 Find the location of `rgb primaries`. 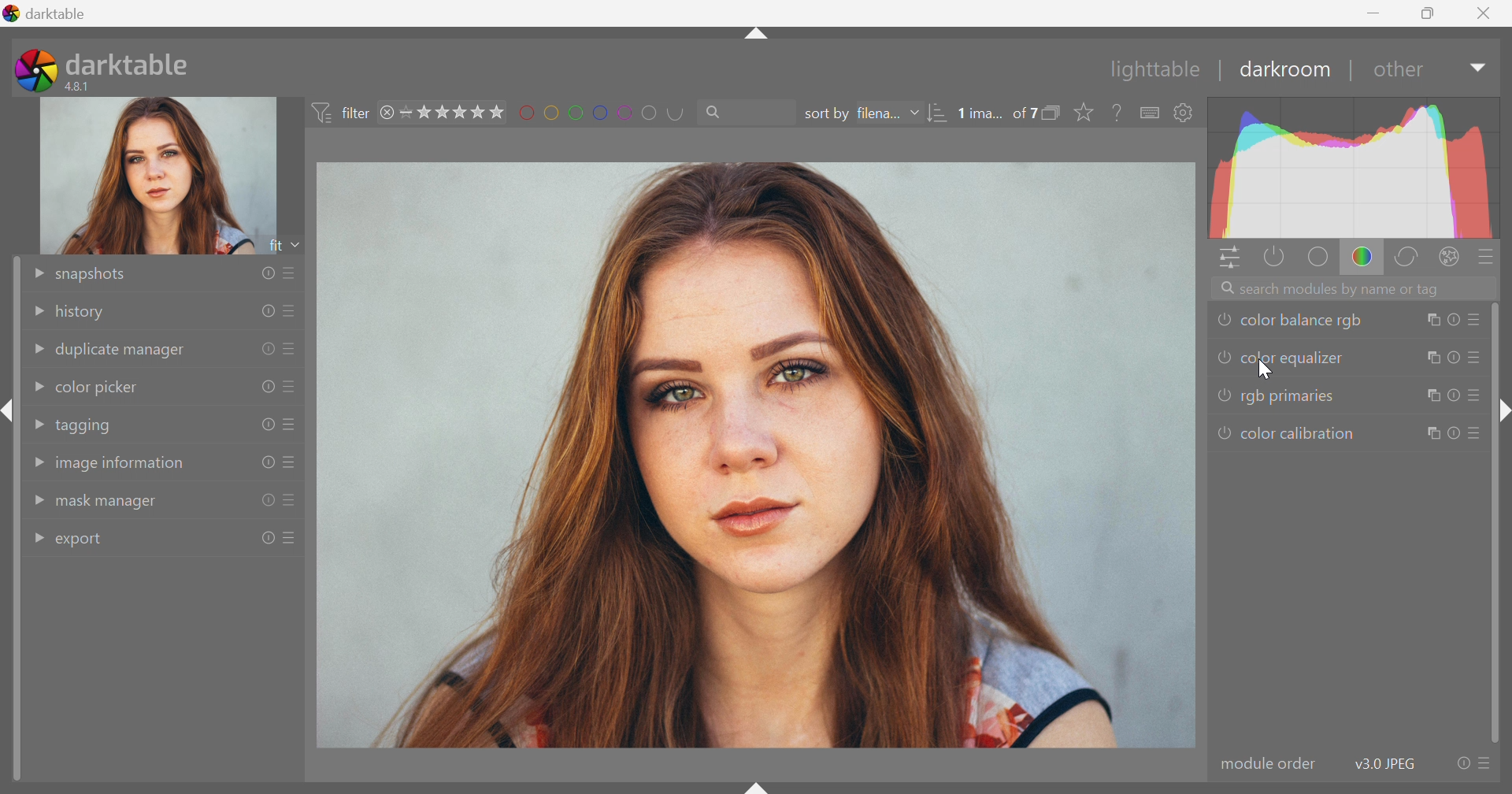

rgb primaries is located at coordinates (1288, 398).